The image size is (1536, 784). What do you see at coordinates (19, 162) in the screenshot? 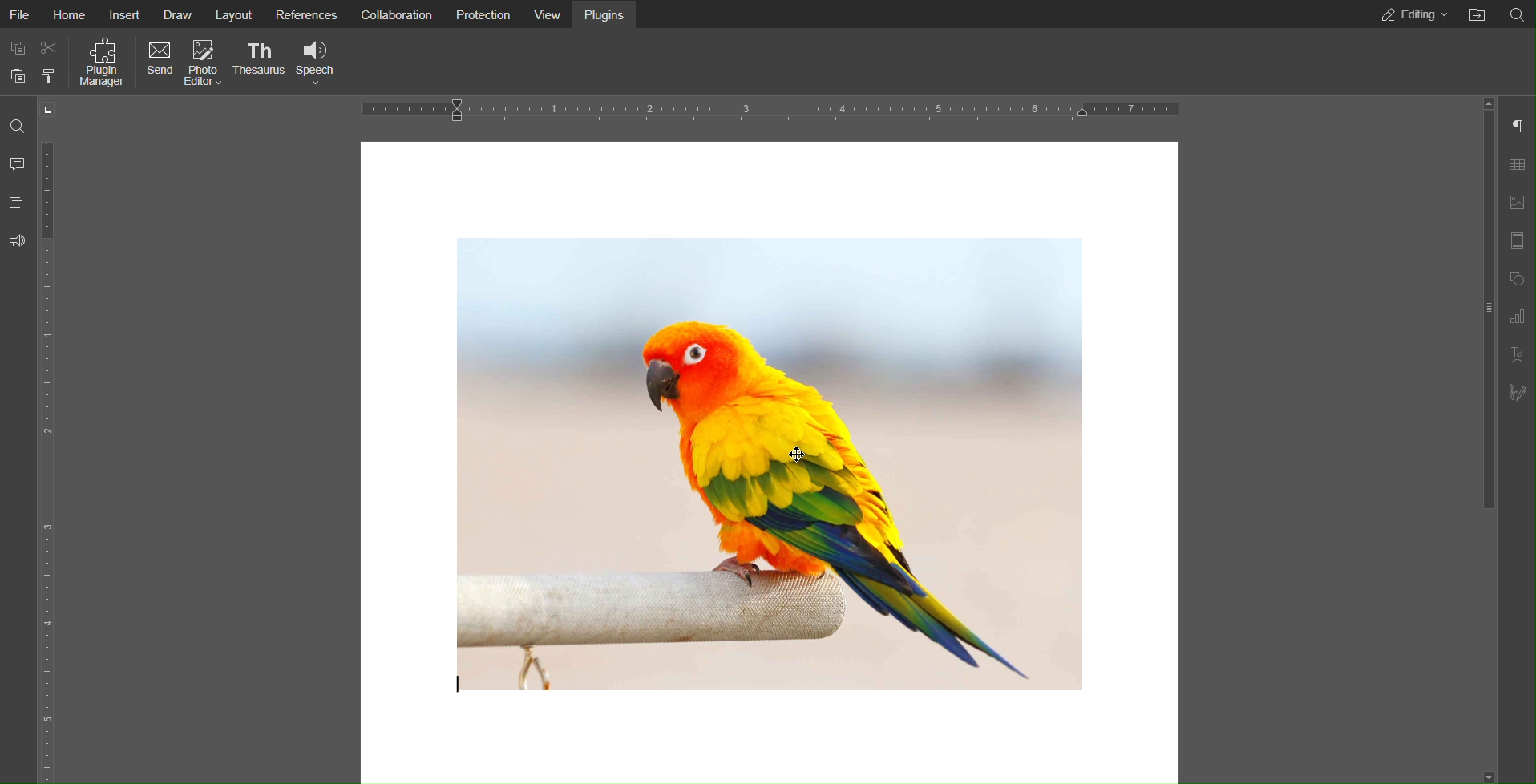
I see `Comments` at bounding box center [19, 162].